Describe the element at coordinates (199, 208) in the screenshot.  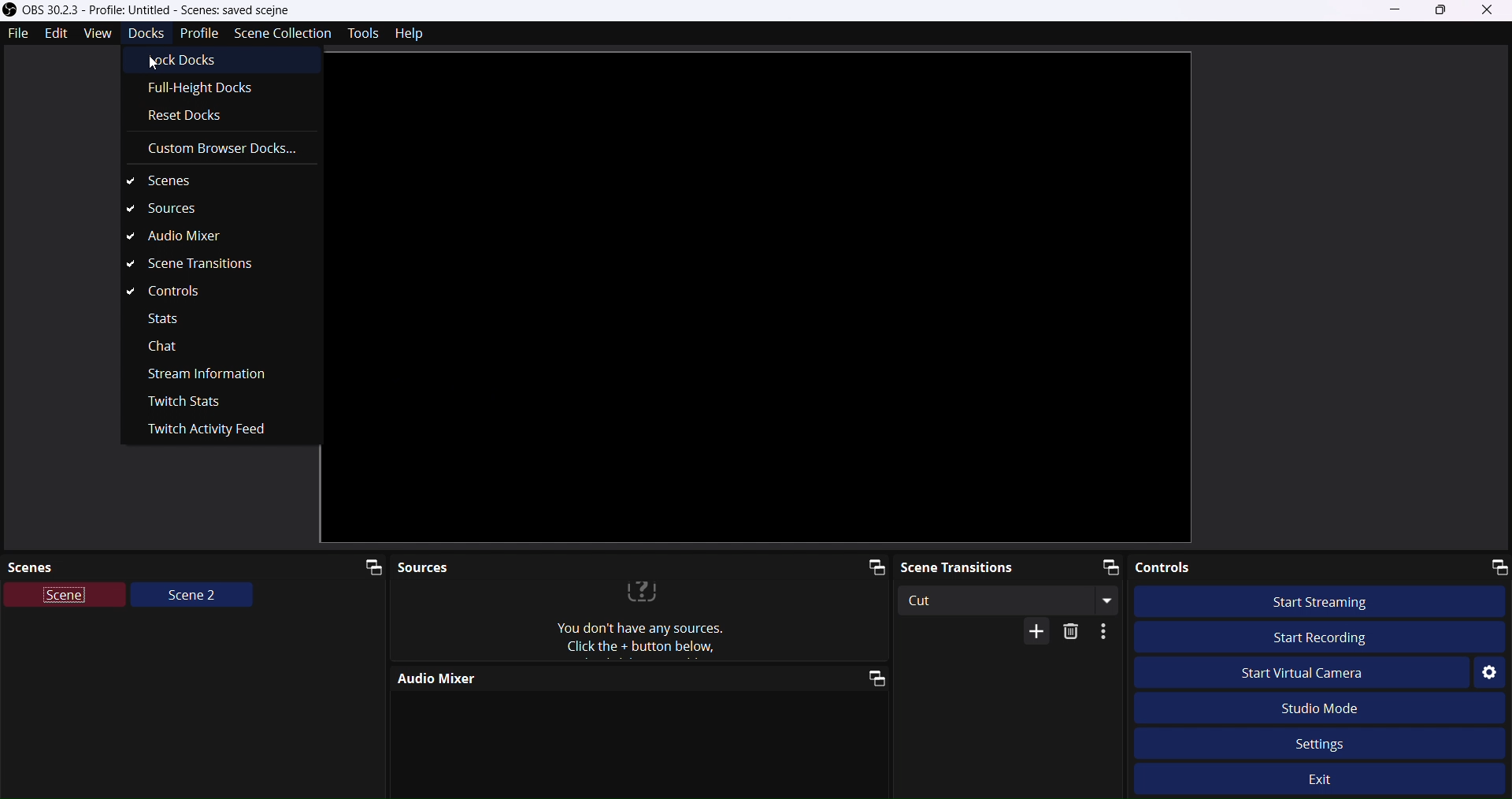
I see `Sources` at that location.